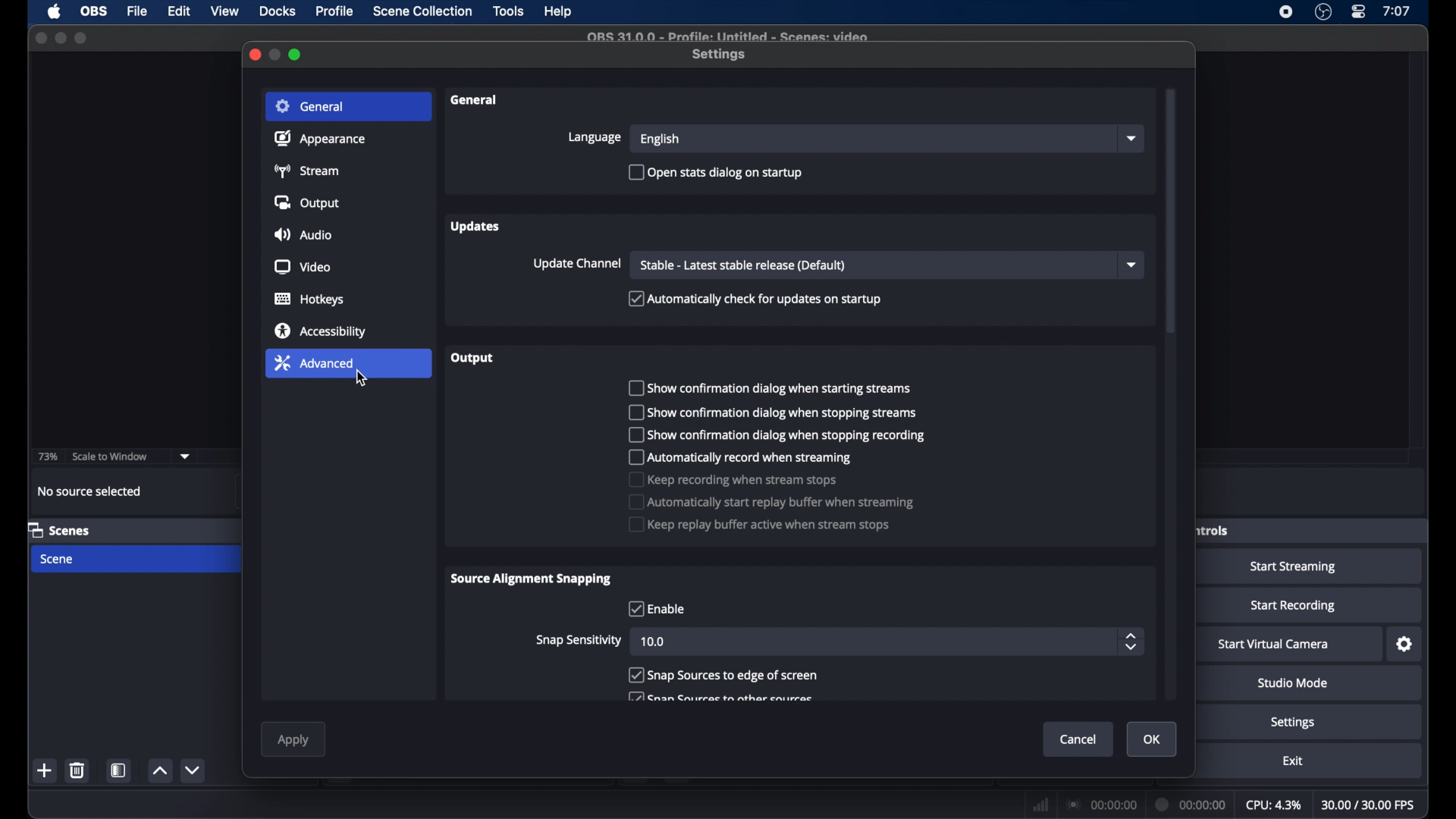  Describe the element at coordinates (89, 492) in the screenshot. I see `no source selected` at that location.